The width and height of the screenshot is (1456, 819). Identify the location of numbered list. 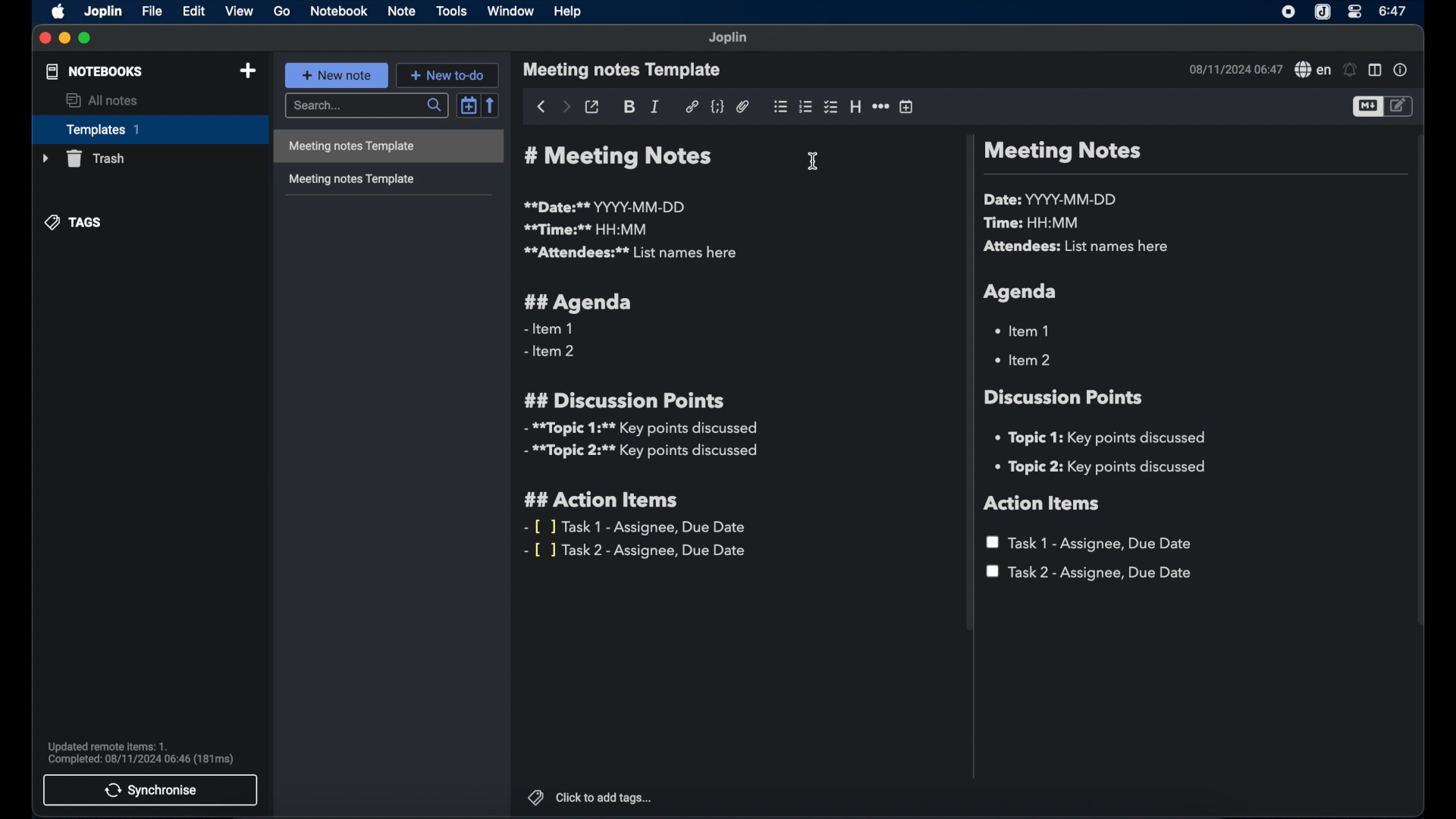
(805, 107).